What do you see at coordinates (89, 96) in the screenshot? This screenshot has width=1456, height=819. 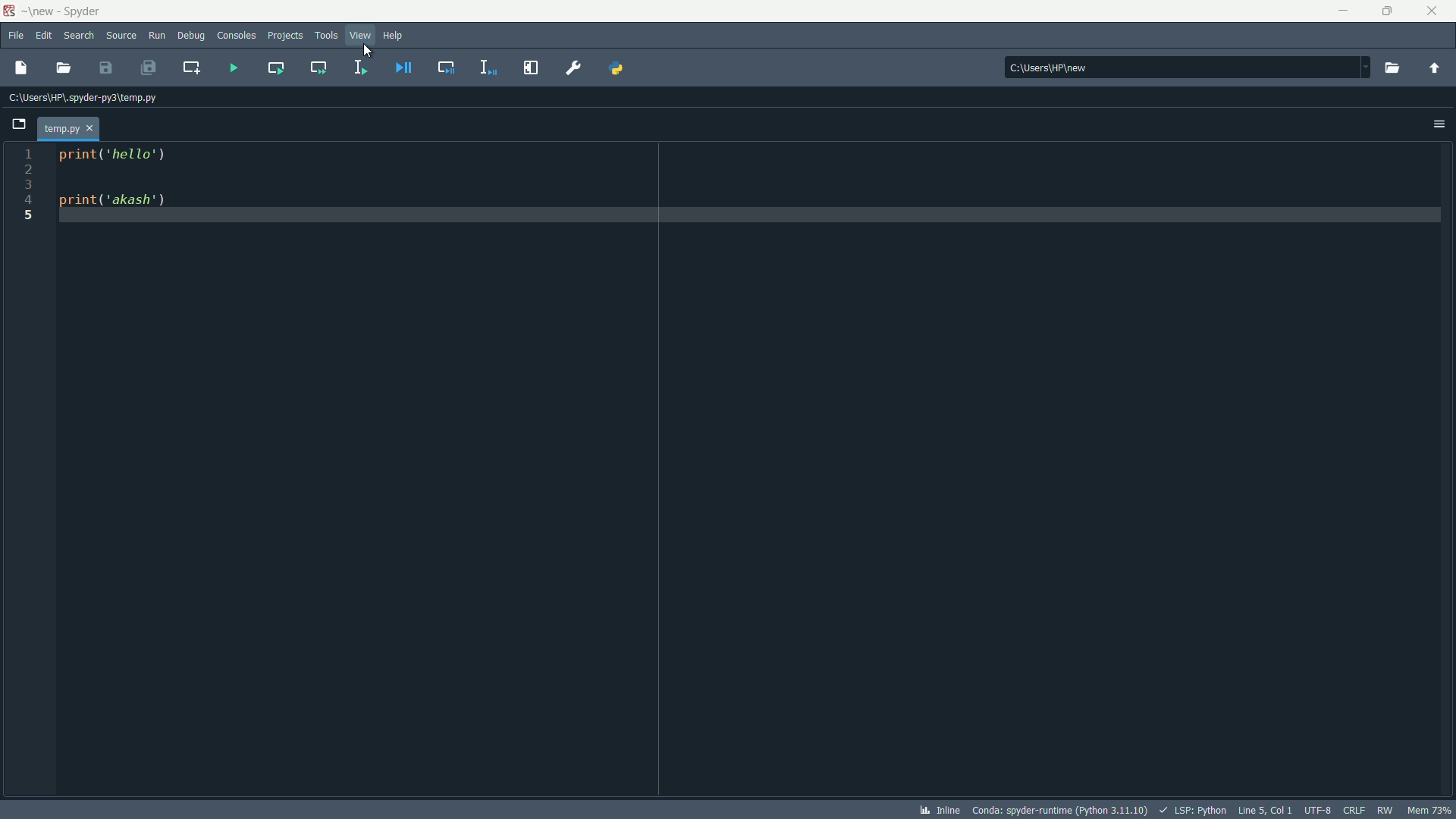 I see `Current path` at bounding box center [89, 96].